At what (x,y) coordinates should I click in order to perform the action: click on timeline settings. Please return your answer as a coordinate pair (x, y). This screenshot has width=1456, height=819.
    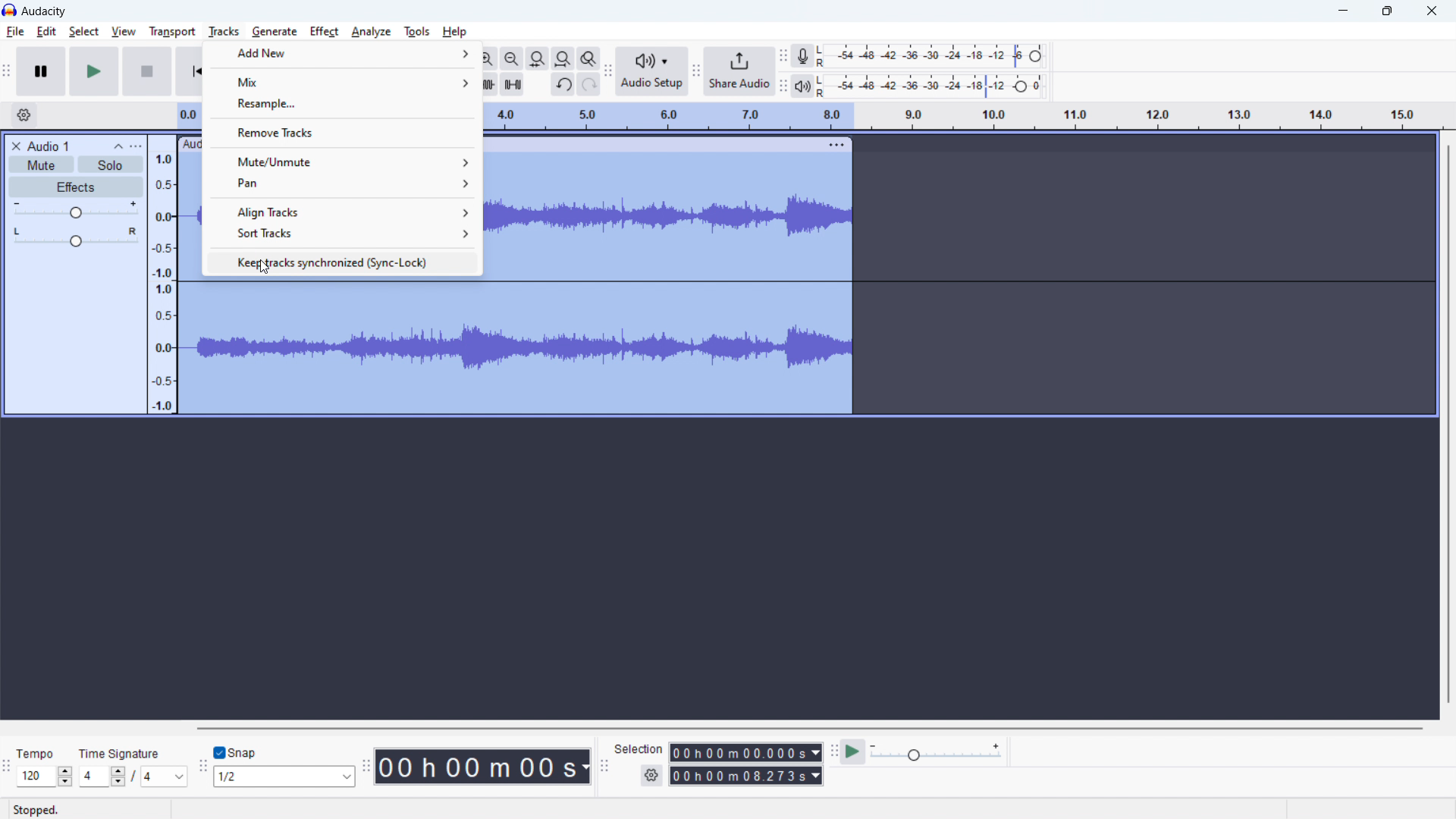
    Looking at the image, I should click on (23, 115).